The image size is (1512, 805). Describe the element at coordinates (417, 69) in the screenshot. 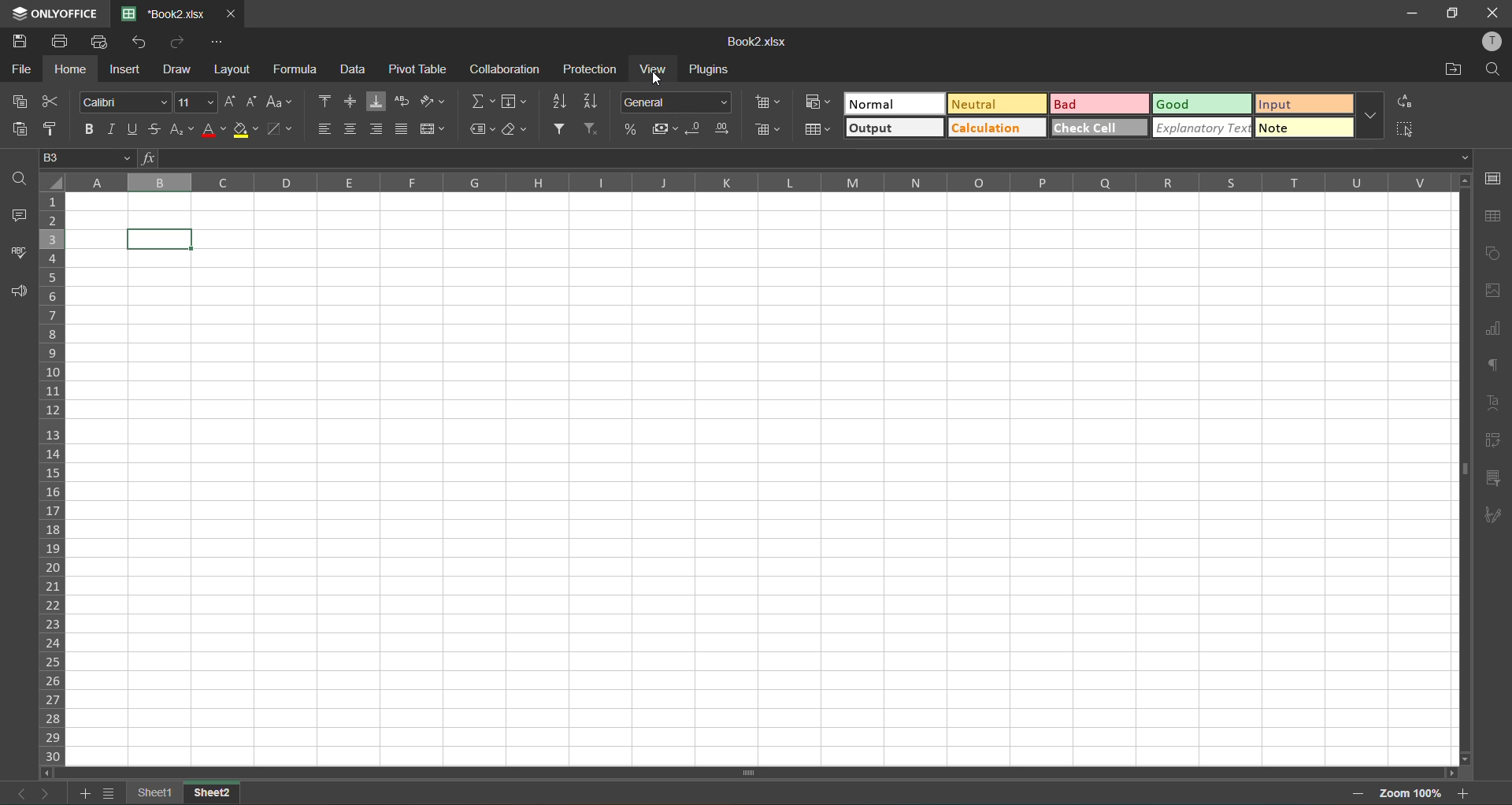

I see `pivot table` at that location.